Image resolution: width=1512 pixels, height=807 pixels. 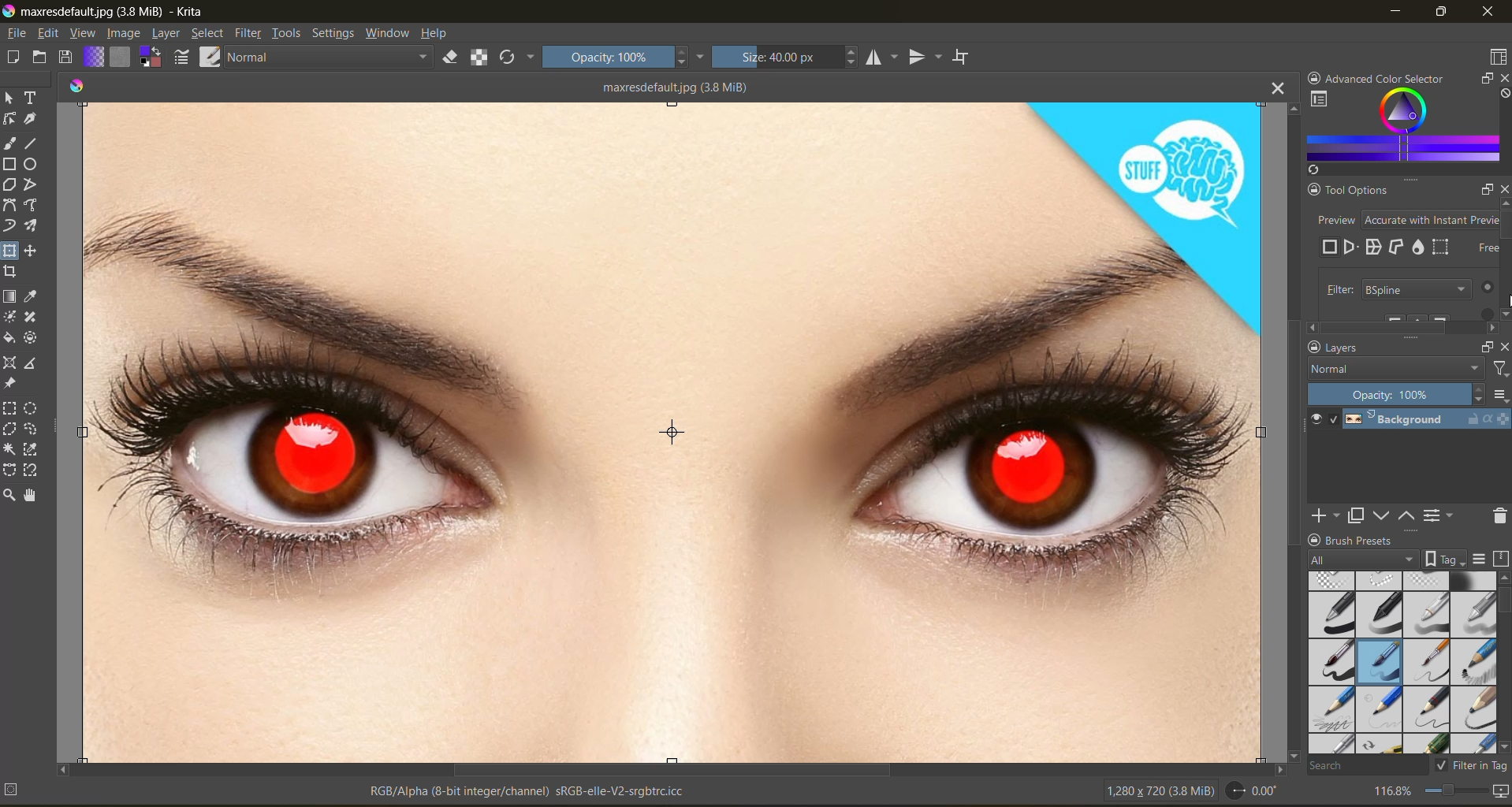 What do you see at coordinates (35, 449) in the screenshot?
I see `tool` at bounding box center [35, 449].